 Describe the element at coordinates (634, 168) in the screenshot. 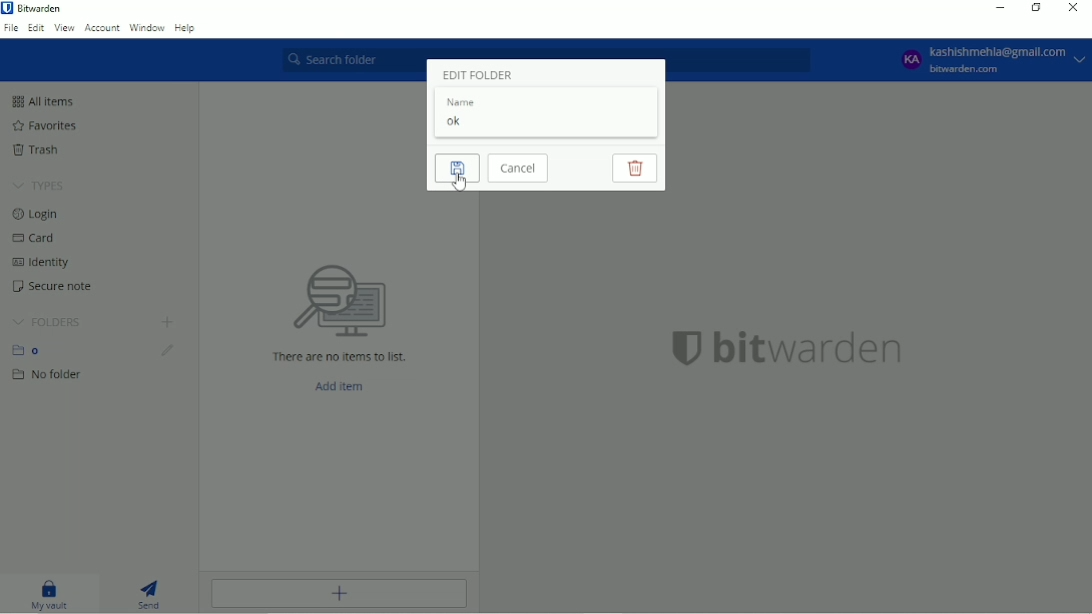

I see `Delete` at that location.